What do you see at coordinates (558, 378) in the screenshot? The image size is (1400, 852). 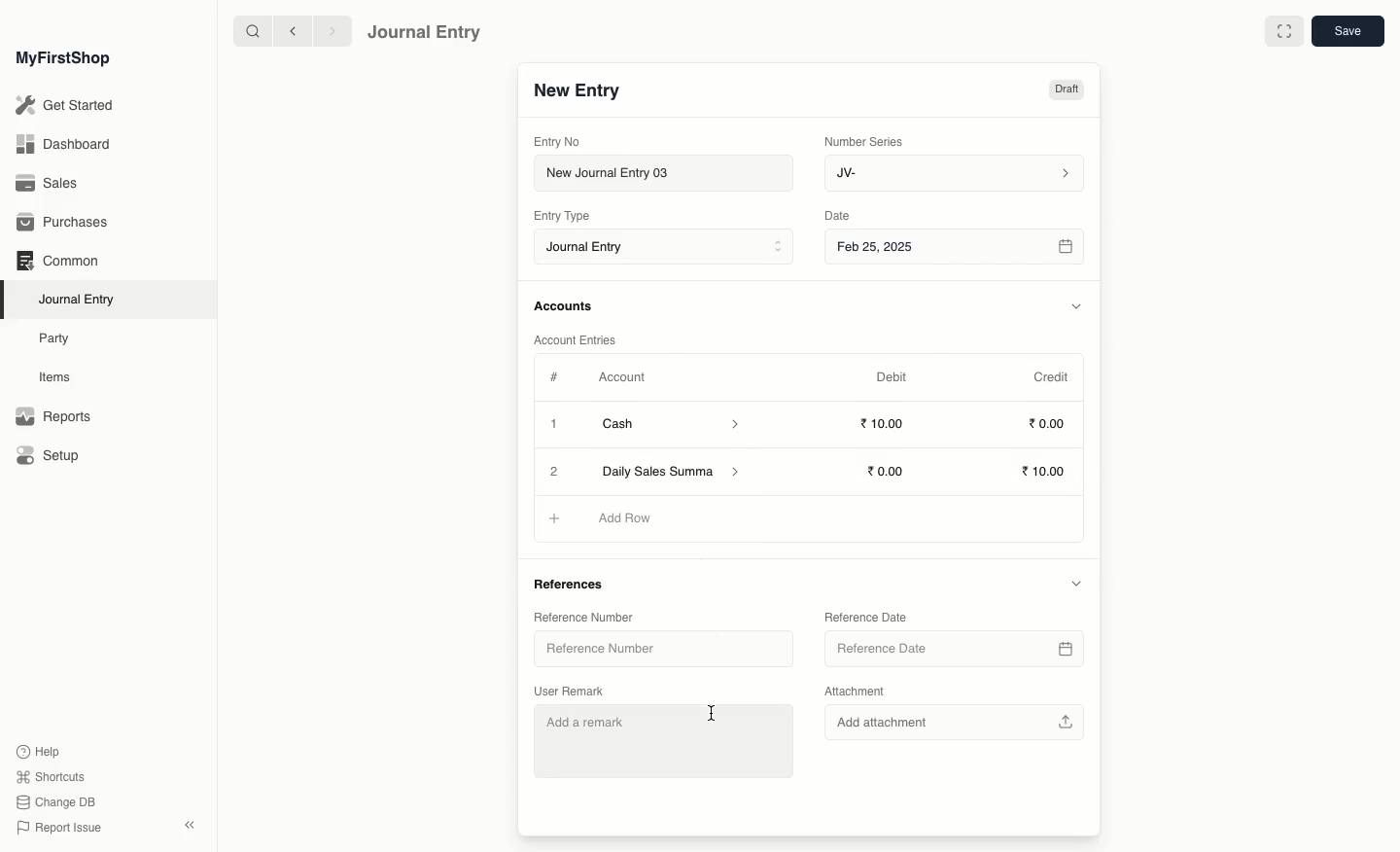 I see `Hashtag` at bounding box center [558, 378].